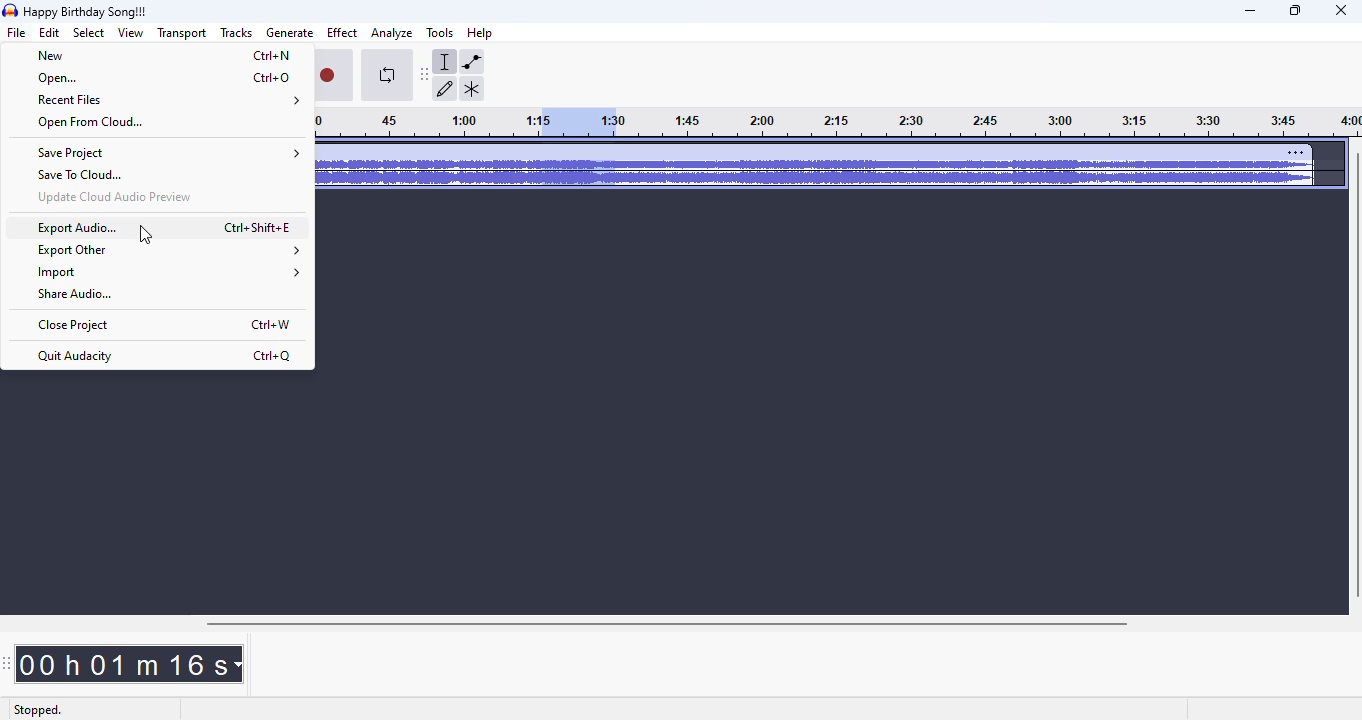 This screenshot has height=720, width=1362. Describe the element at coordinates (989, 124) in the screenshot. I see `timeline` at that location.